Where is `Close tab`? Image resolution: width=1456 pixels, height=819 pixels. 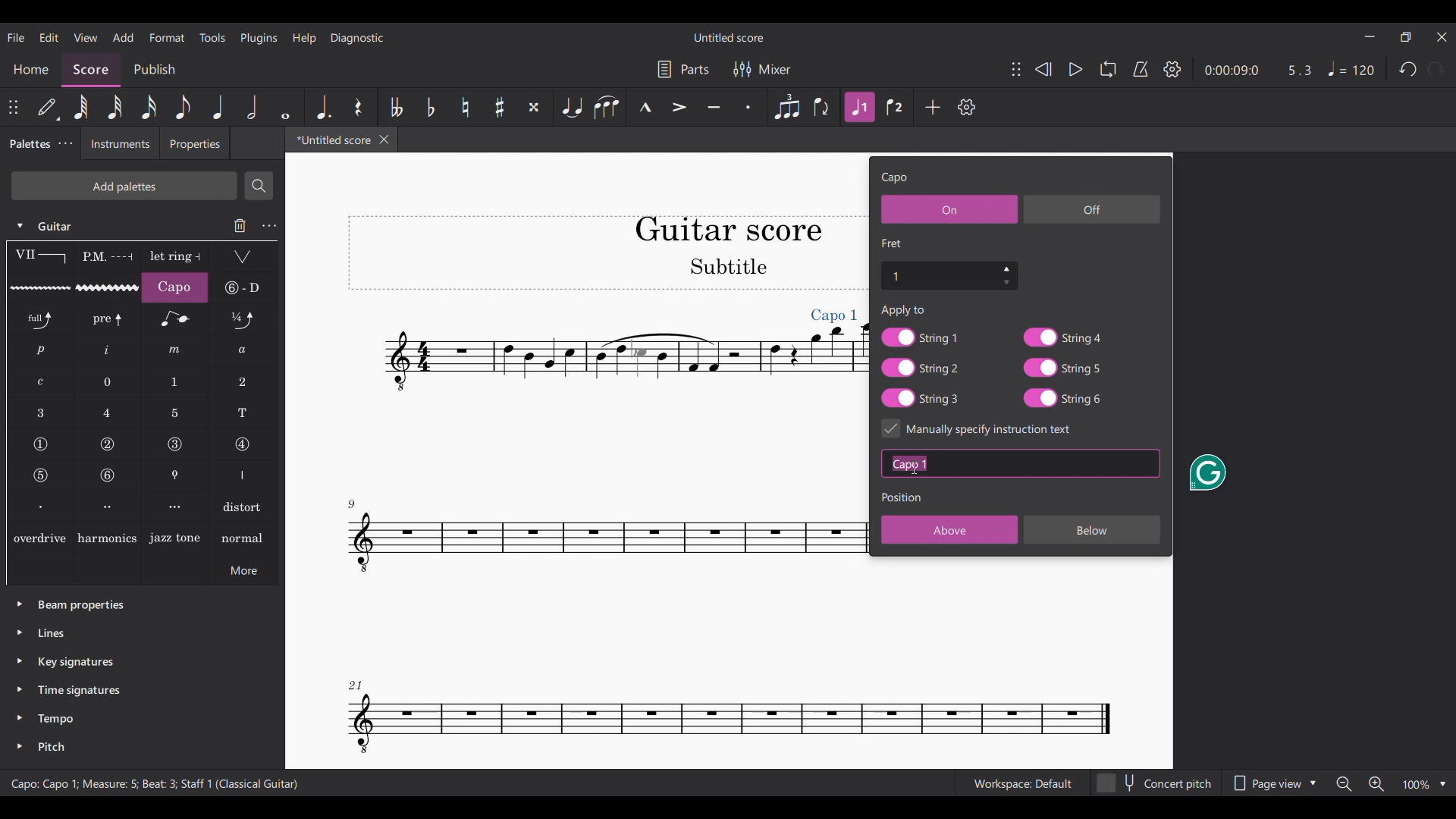
Close tab is located at coordinates (384, 140).